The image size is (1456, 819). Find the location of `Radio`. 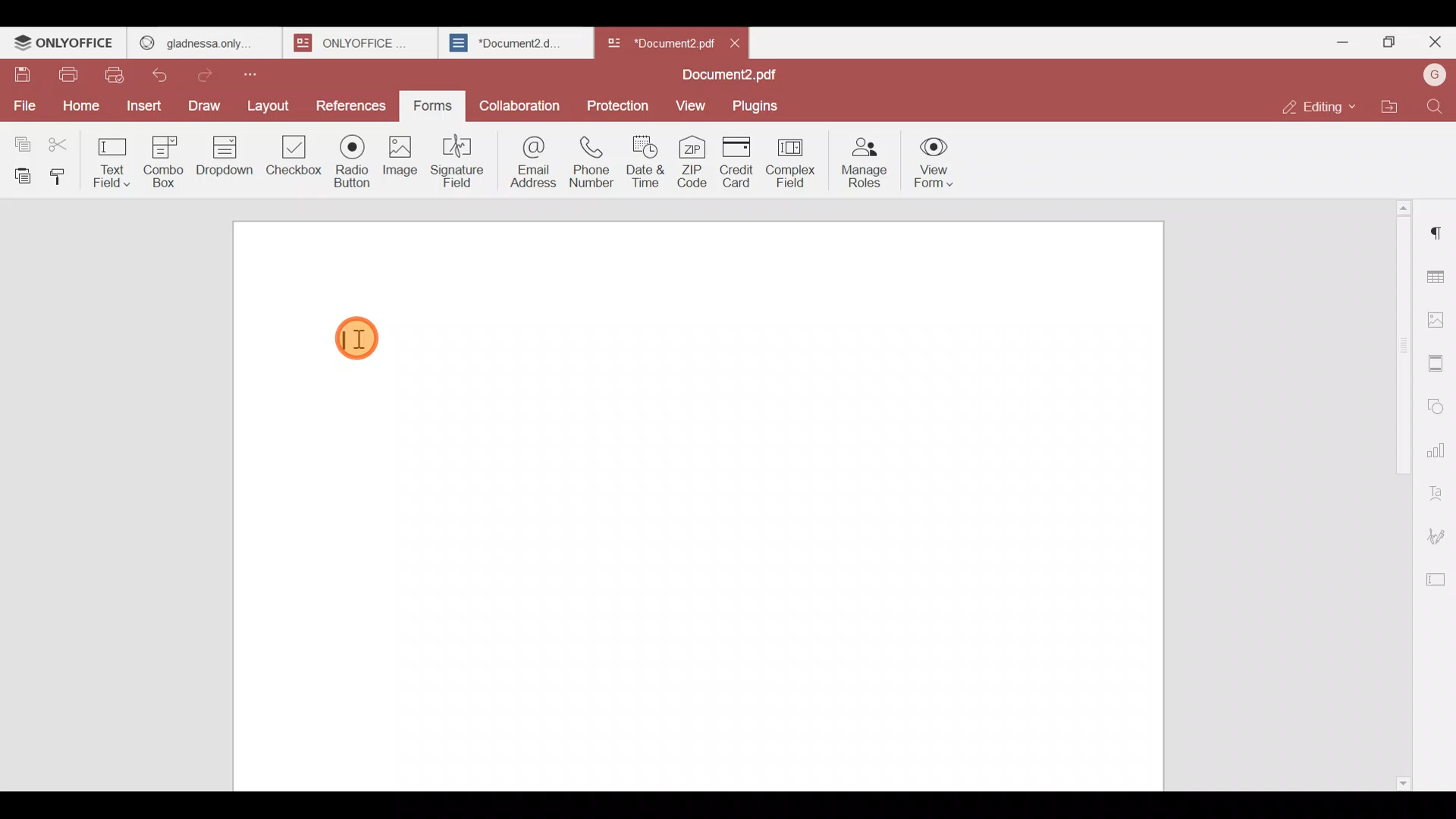

Radio is located at coordinates (351, 158).